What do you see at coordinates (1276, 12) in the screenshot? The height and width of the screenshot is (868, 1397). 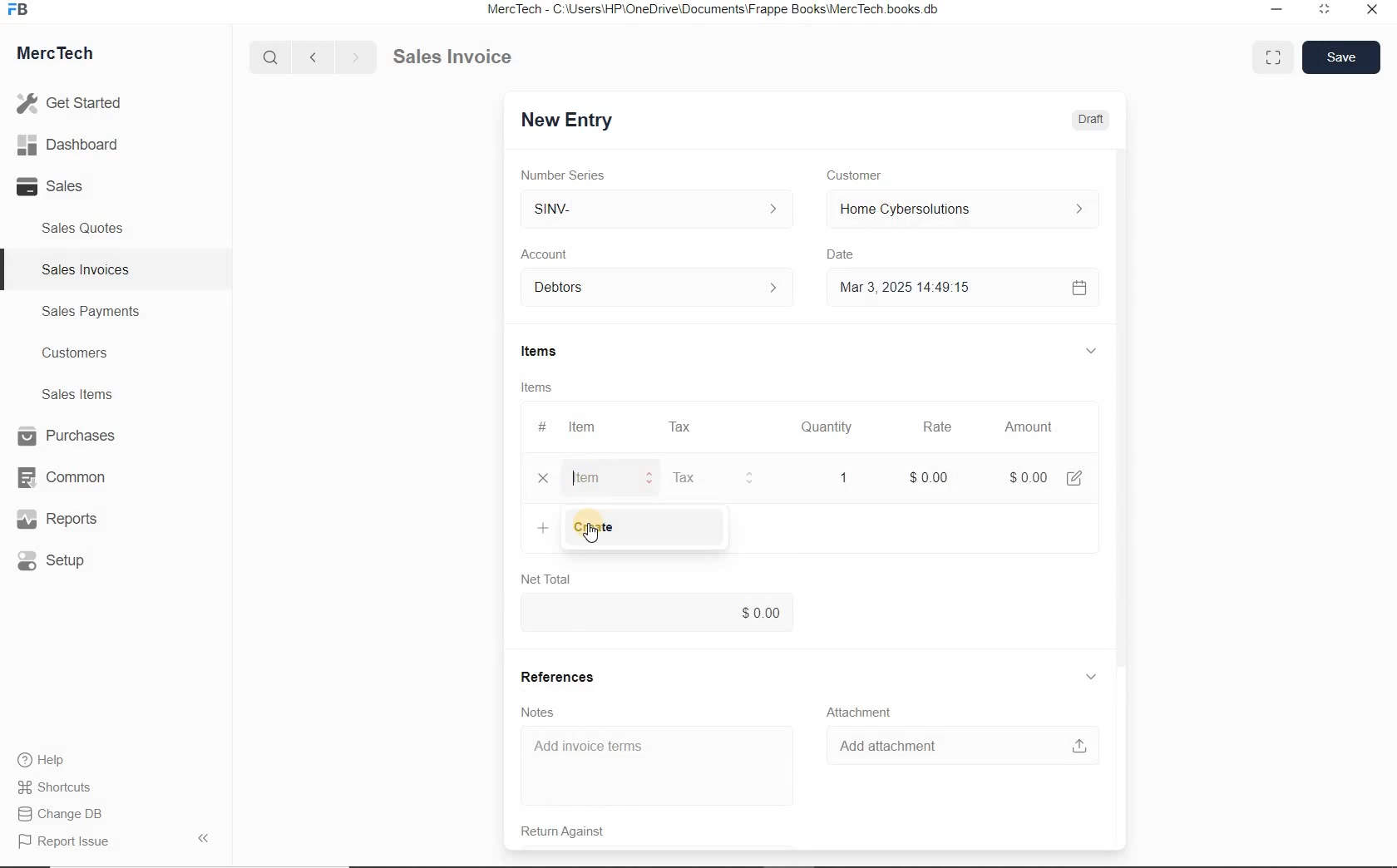 I see `Minimize` at bounding box center [1276, 12].